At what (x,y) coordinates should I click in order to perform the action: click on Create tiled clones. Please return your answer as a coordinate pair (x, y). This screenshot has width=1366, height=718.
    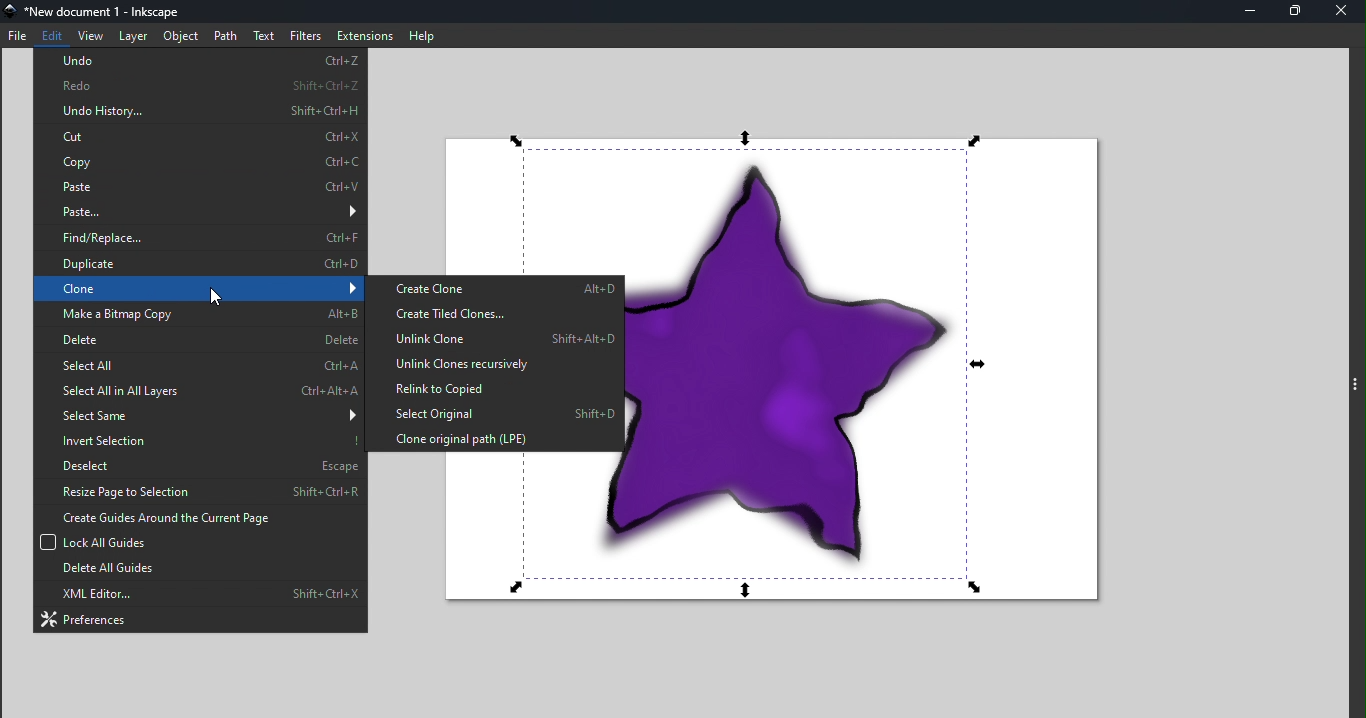
    Looking at the image, I should click on (494, 314).